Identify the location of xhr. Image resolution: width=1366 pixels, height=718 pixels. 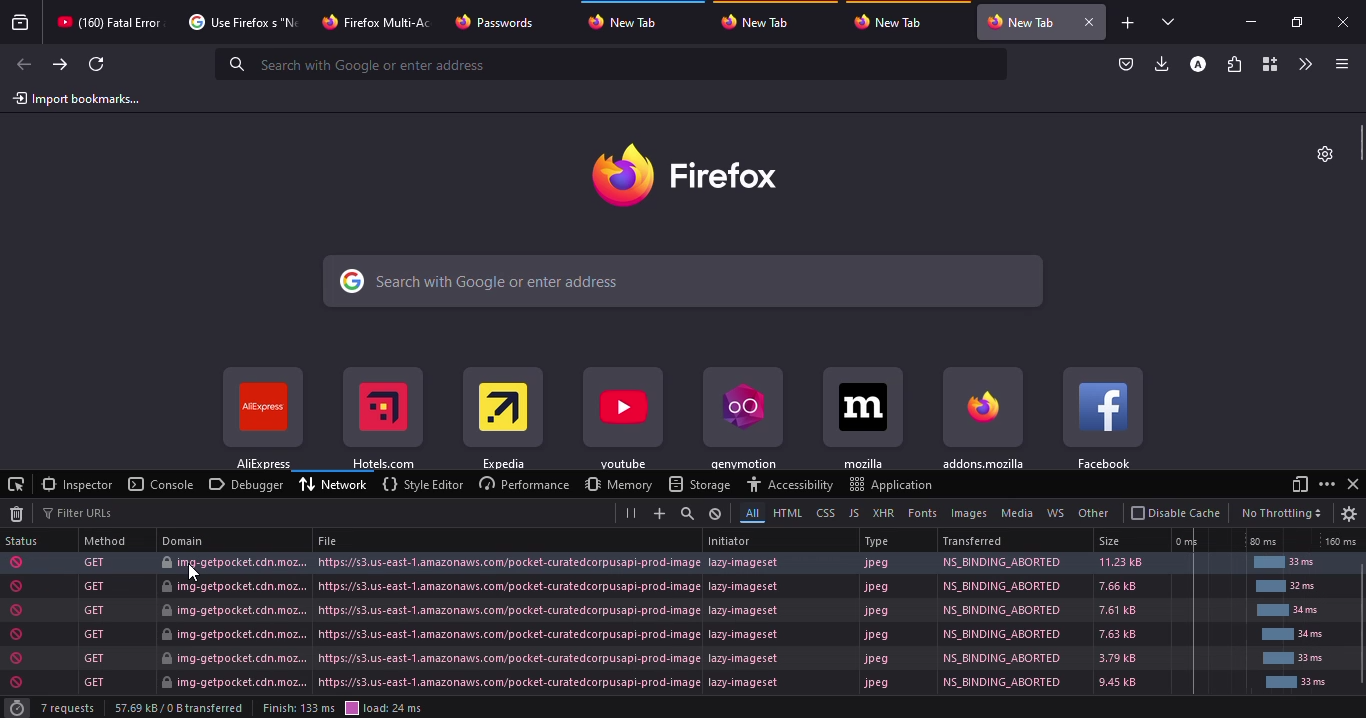
(883, 514).